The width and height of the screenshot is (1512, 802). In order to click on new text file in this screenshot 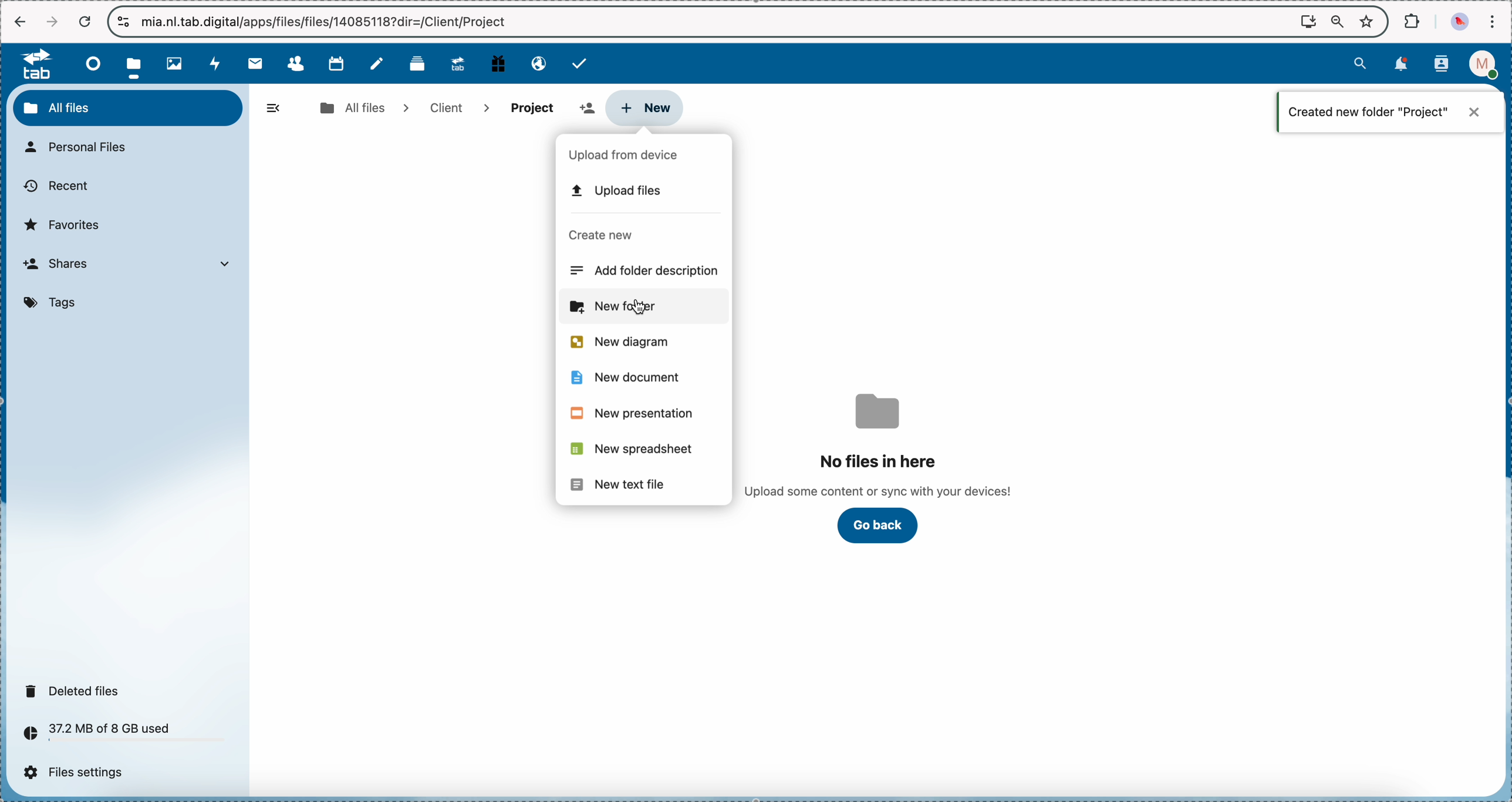, I will do `click(616, 483)`.